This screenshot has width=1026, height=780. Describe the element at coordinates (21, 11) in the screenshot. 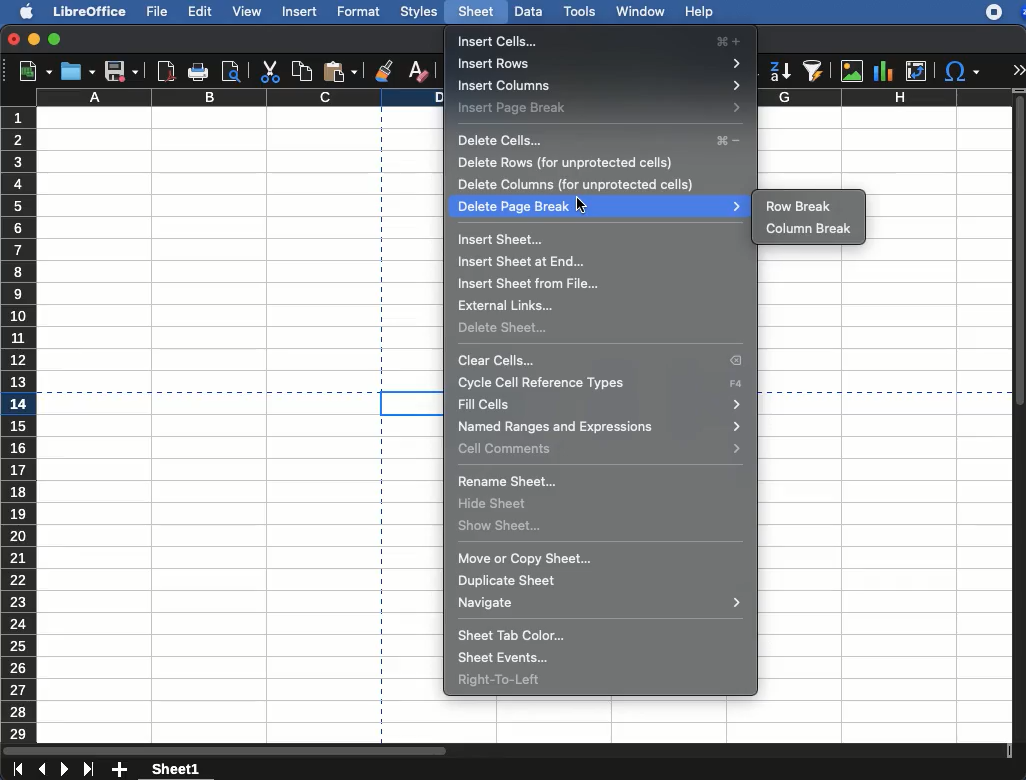

I see `apple ` at that location.